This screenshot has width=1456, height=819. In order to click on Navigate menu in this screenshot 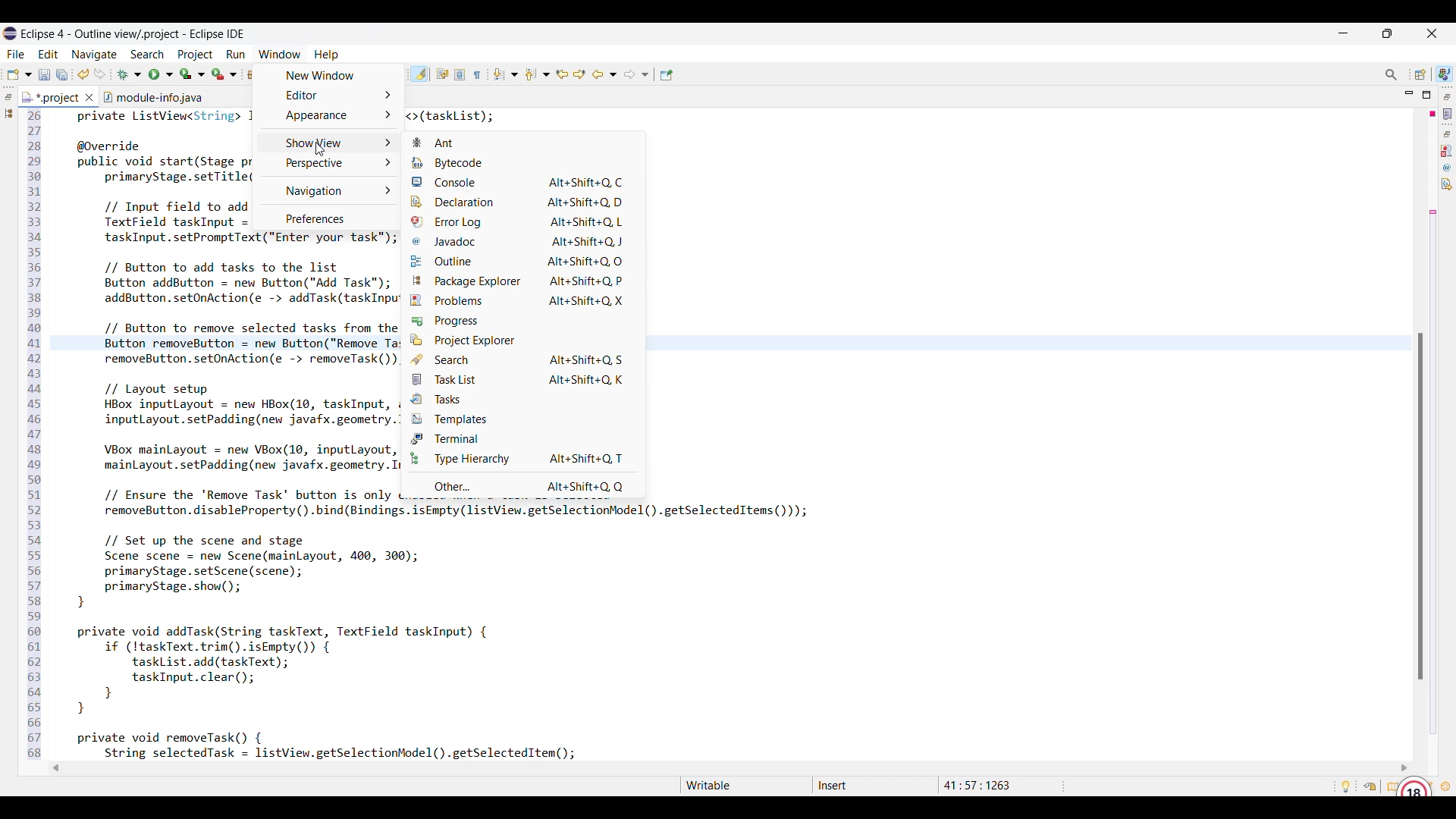, I will do `click(94, 55)`.